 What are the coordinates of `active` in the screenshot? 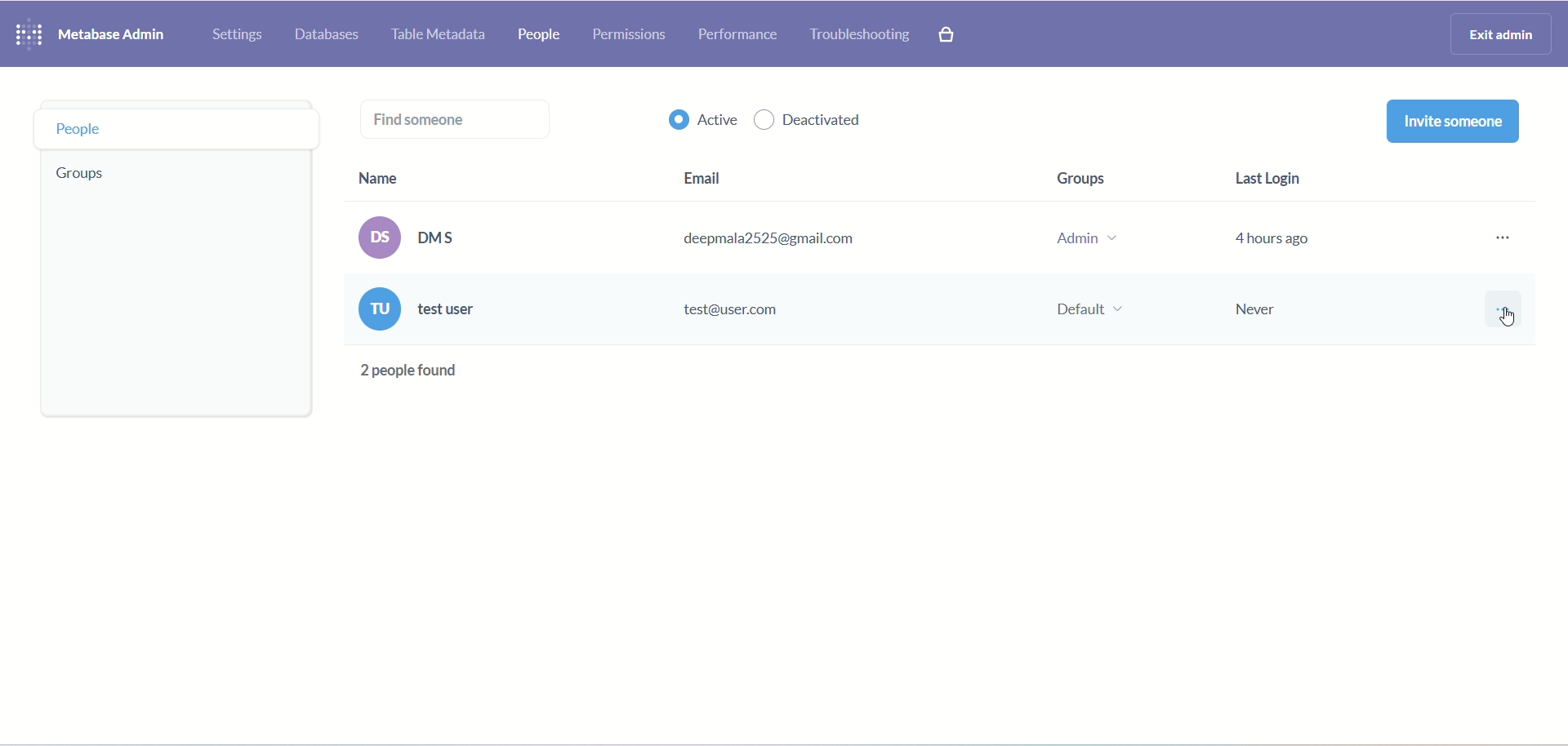 It's located at (703, 123).